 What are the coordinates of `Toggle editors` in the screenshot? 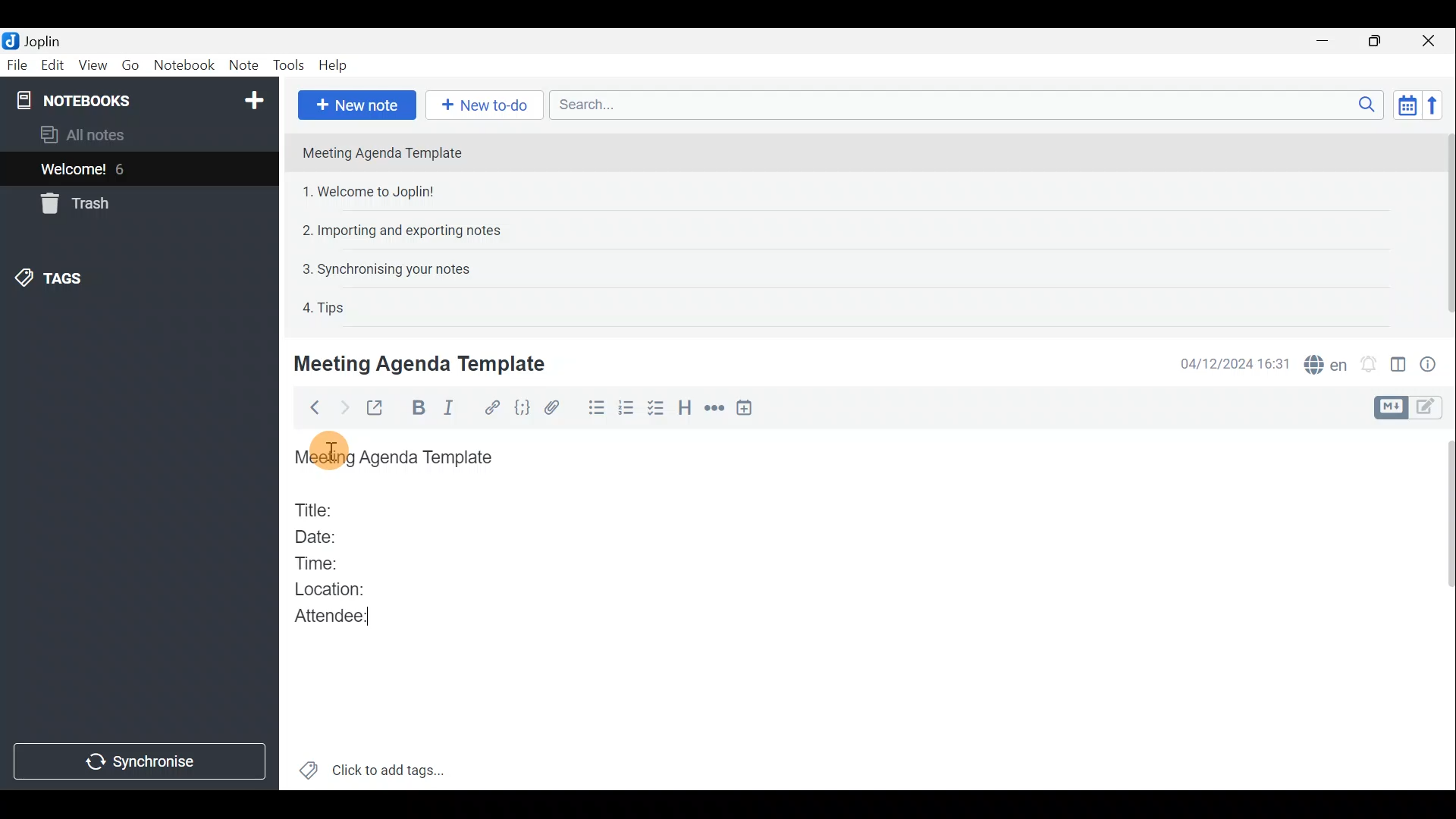 It's located at (1429, 409).